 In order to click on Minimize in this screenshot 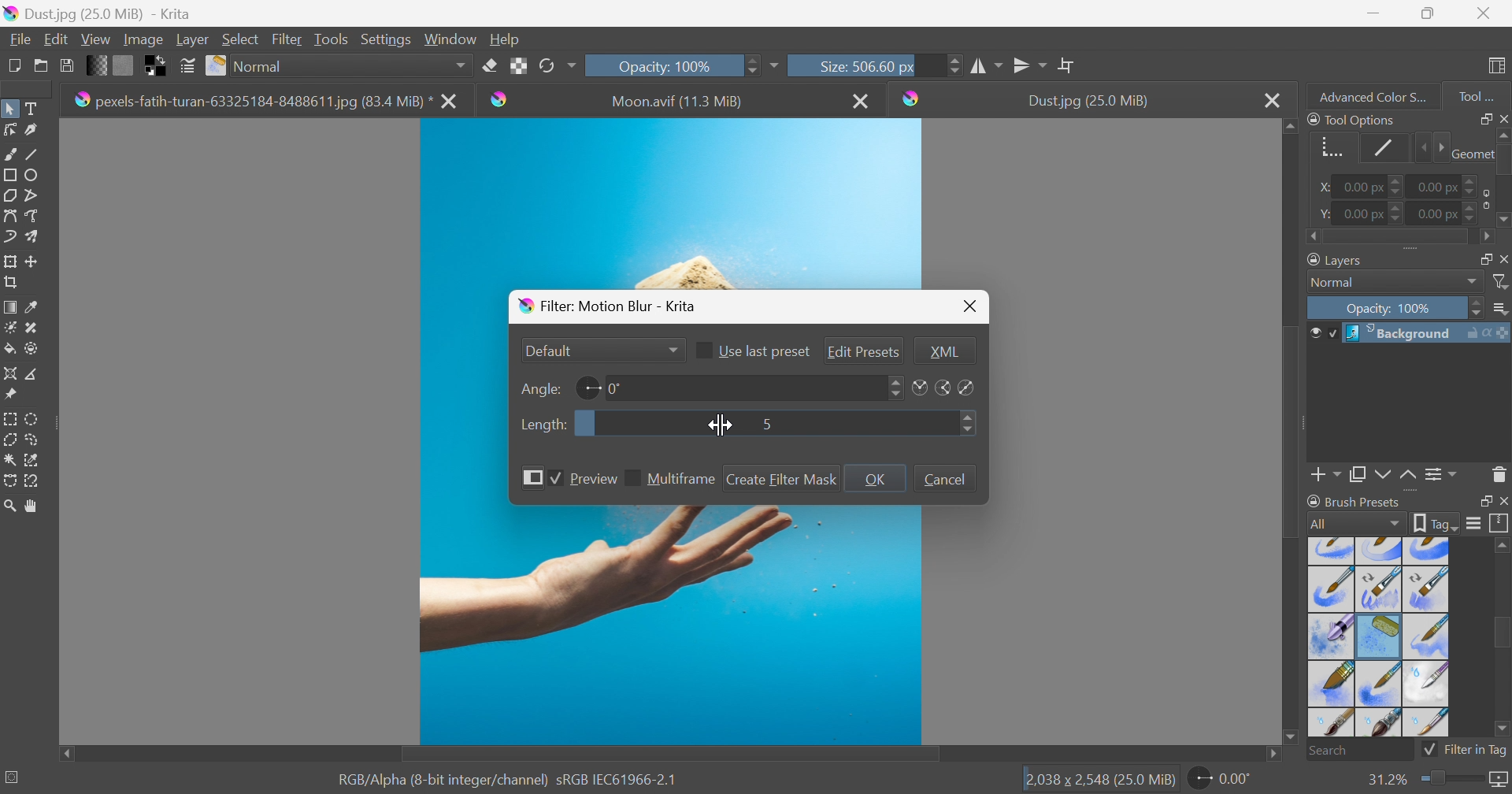, I will do `click(1373, 12)`.